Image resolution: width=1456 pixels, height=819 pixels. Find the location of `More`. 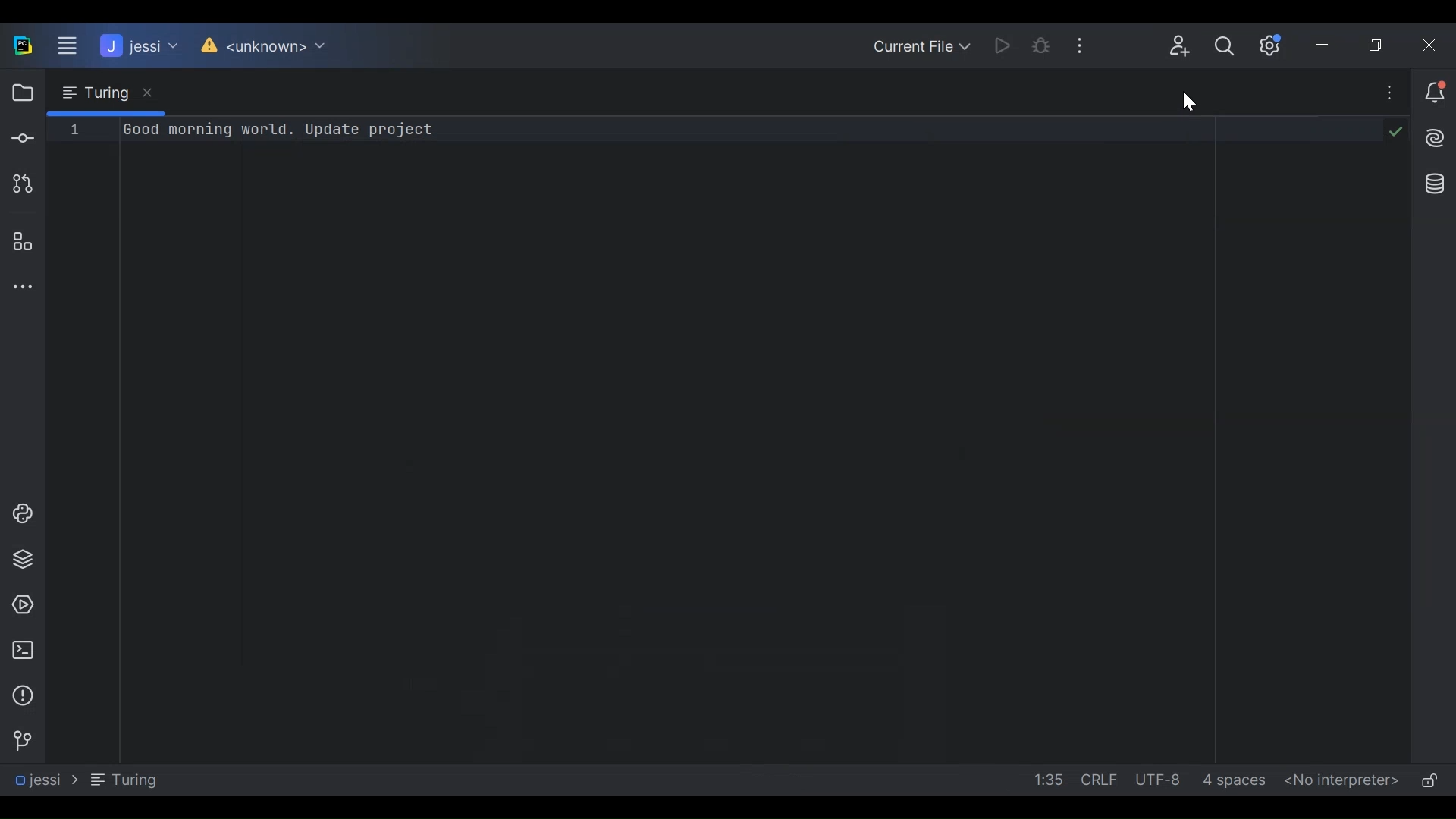

More is located at coordinates (1089, 45).